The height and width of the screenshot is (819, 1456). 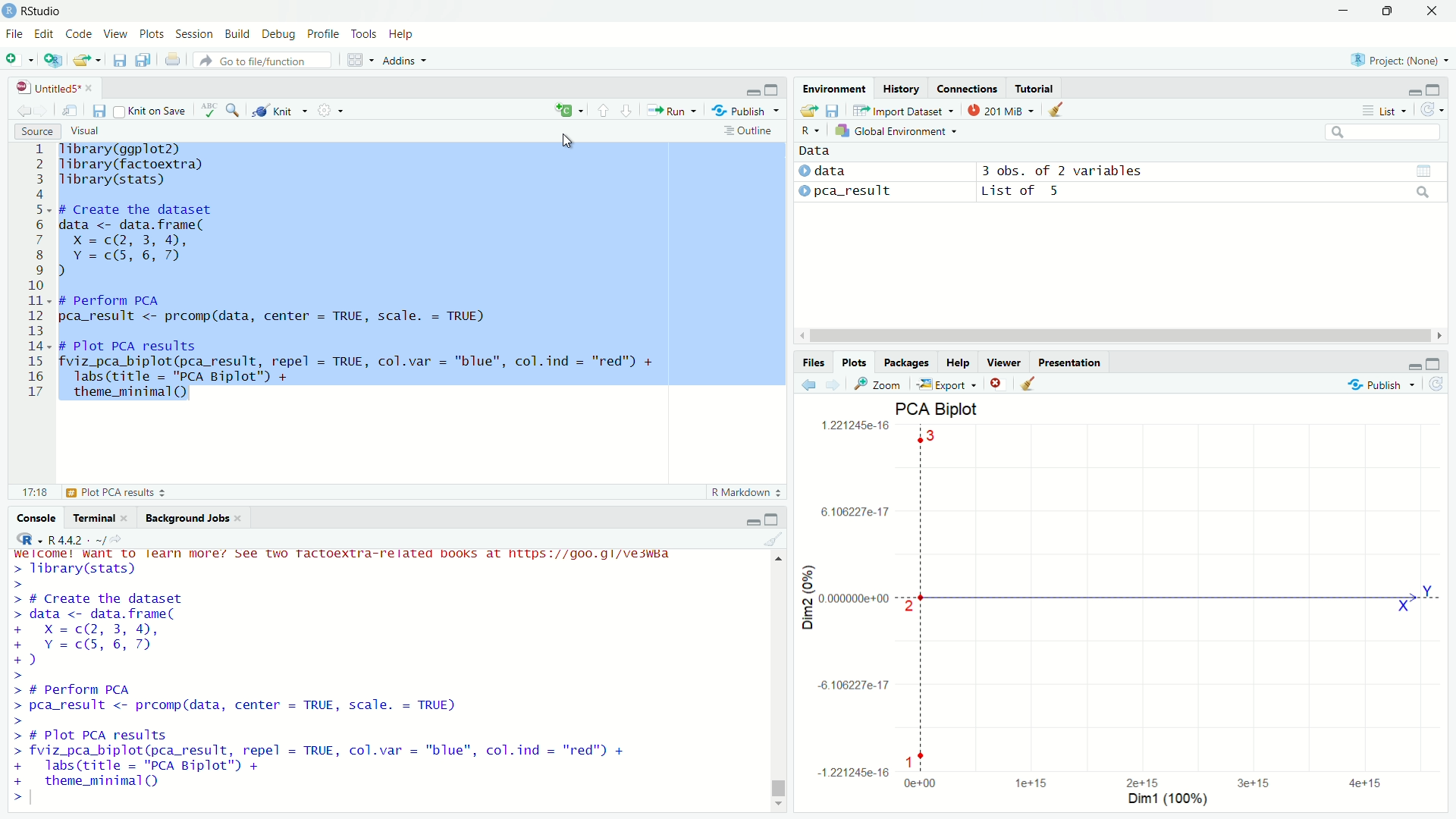 What do you see at coordinates (100, 518) in the screenshot?
I see `terminal` at bounding box center [100, 518].